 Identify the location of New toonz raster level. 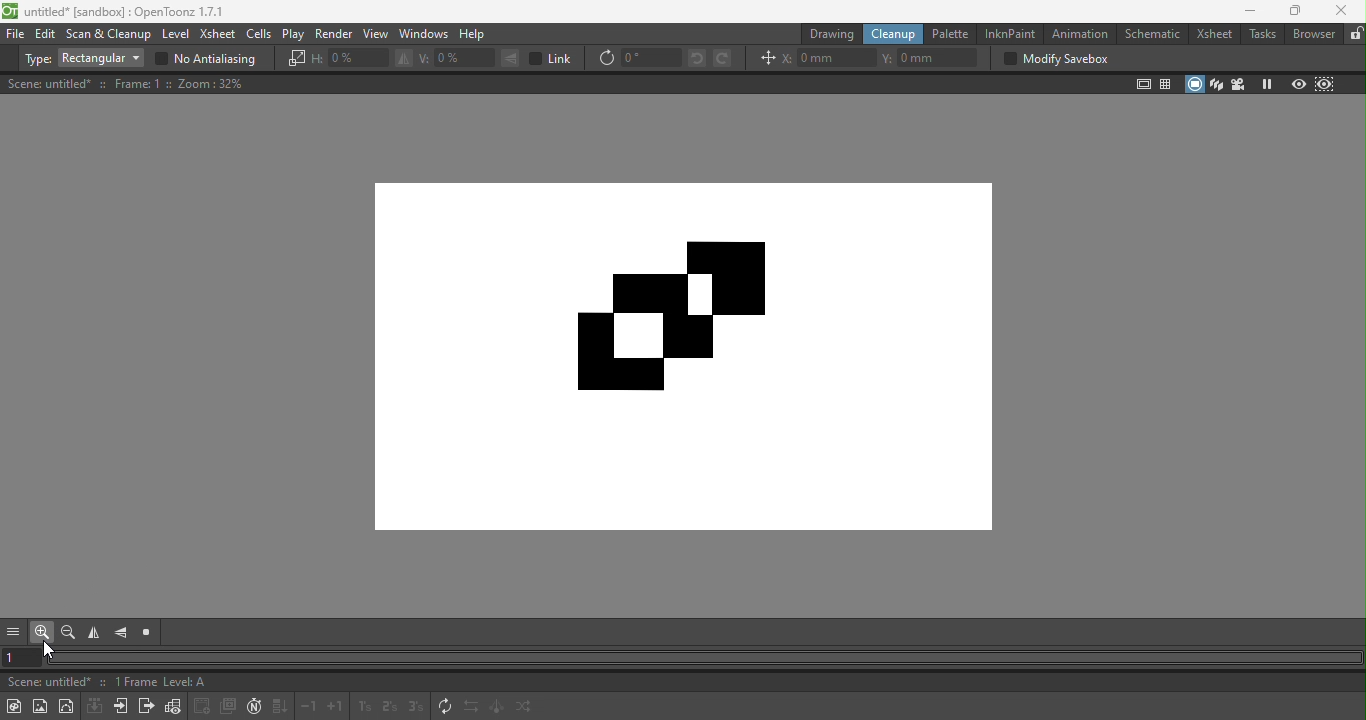
(14, 706).